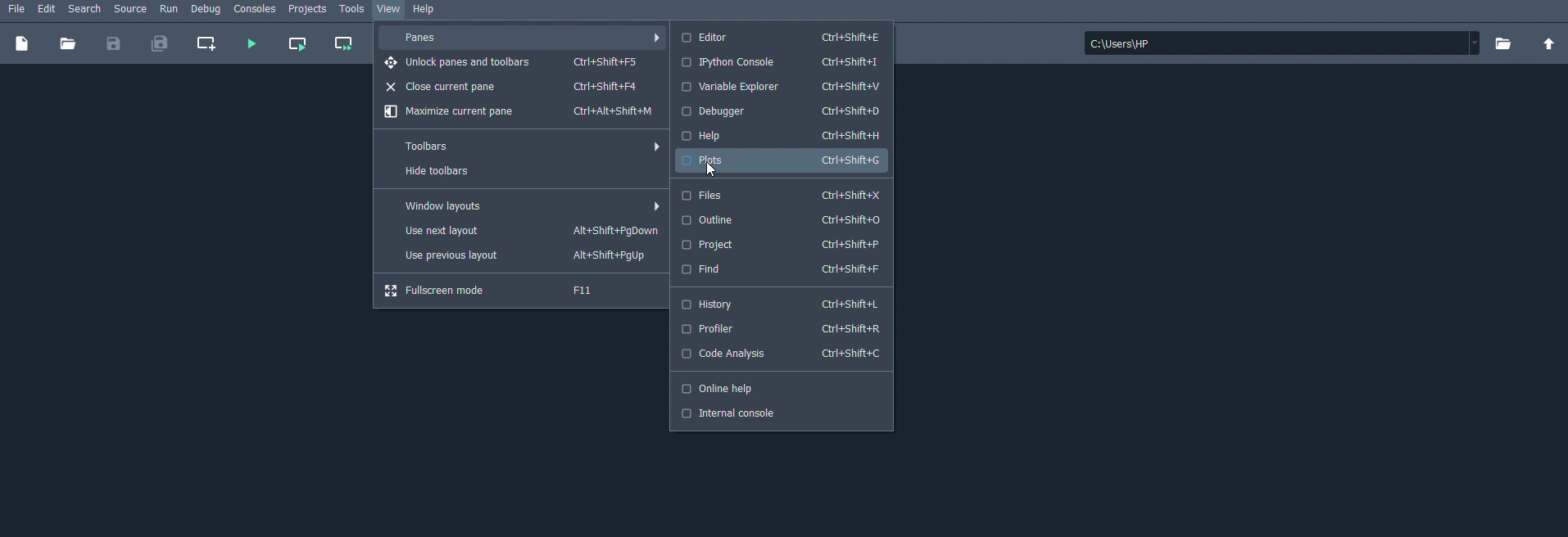 The image size is (1568, 537). I want to click on Code Analysis, so click(782, 354).